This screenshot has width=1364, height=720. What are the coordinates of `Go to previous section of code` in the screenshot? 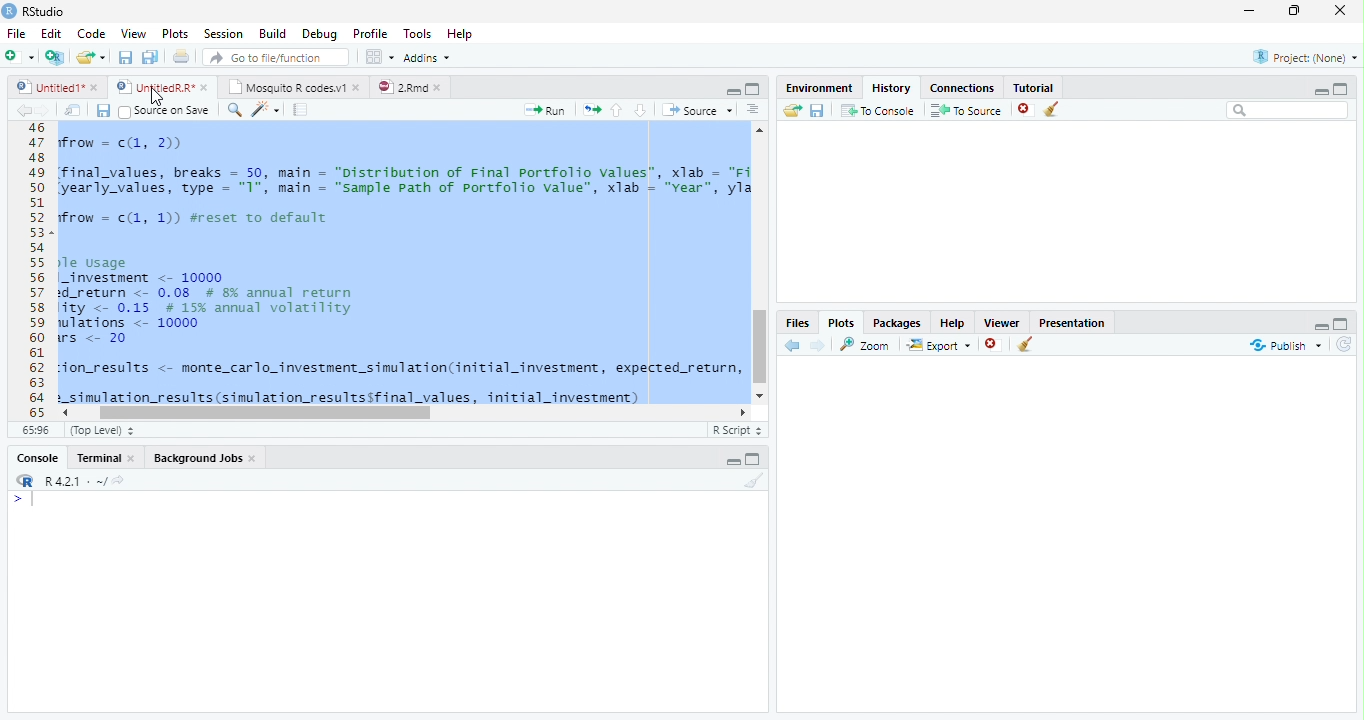 It's located at (617, 112).